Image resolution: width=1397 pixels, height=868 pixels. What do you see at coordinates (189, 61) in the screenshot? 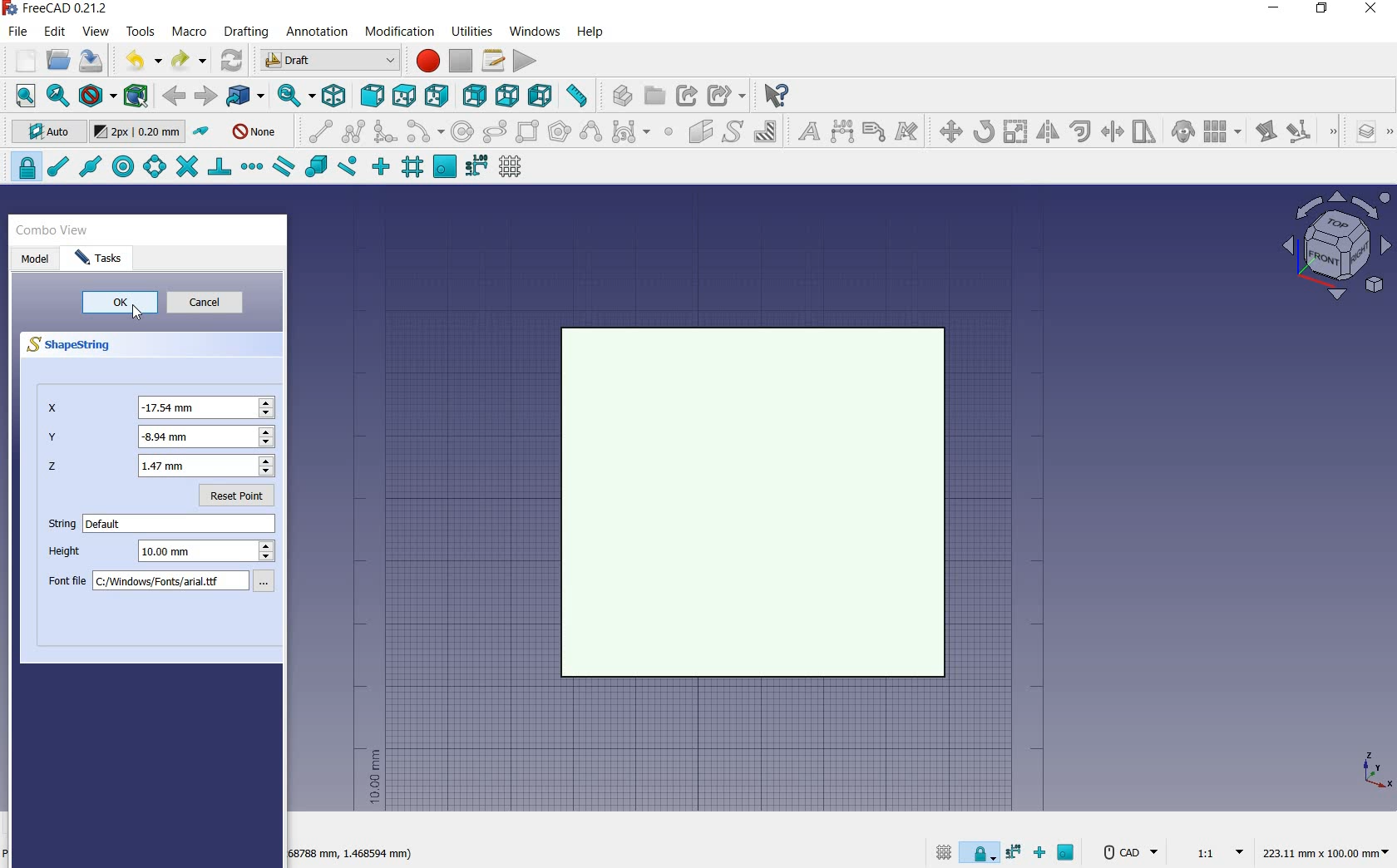
I see `redo` at bounding box center [189, 61].